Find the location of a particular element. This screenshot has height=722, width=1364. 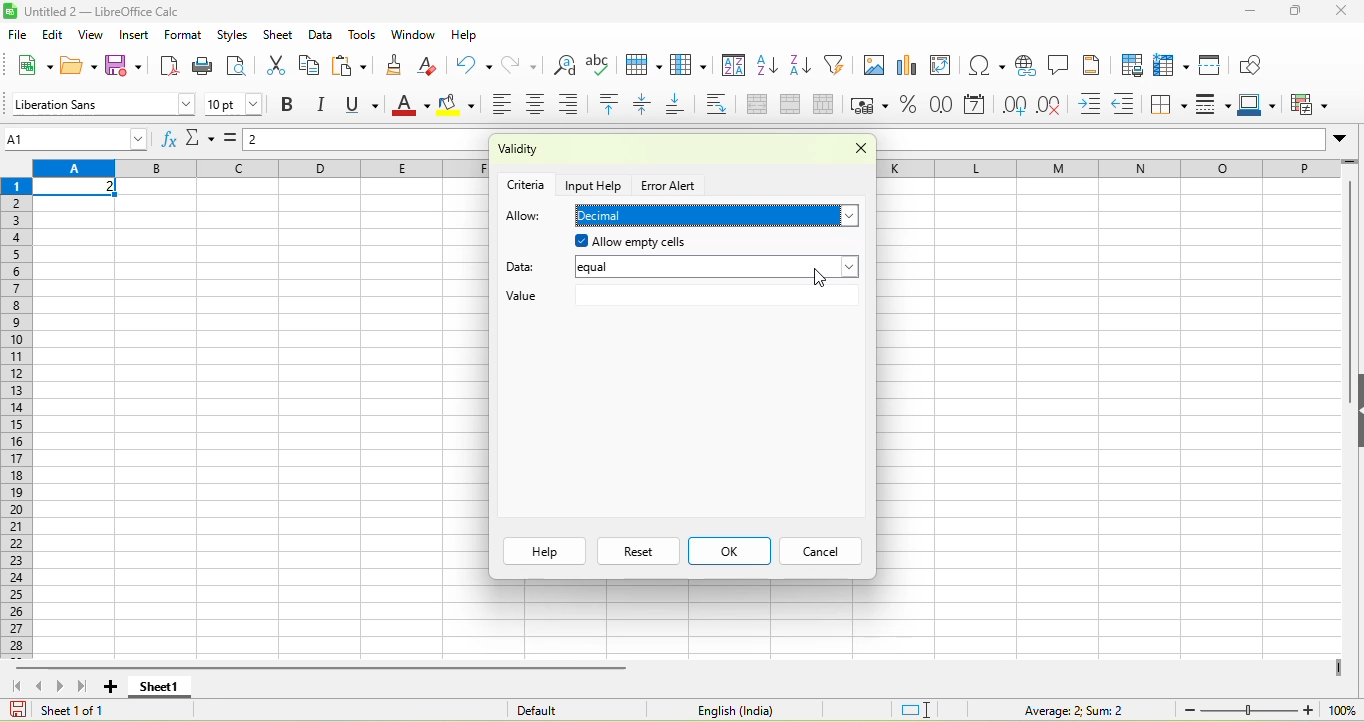

merge and center is located at coordinates (757, 106).